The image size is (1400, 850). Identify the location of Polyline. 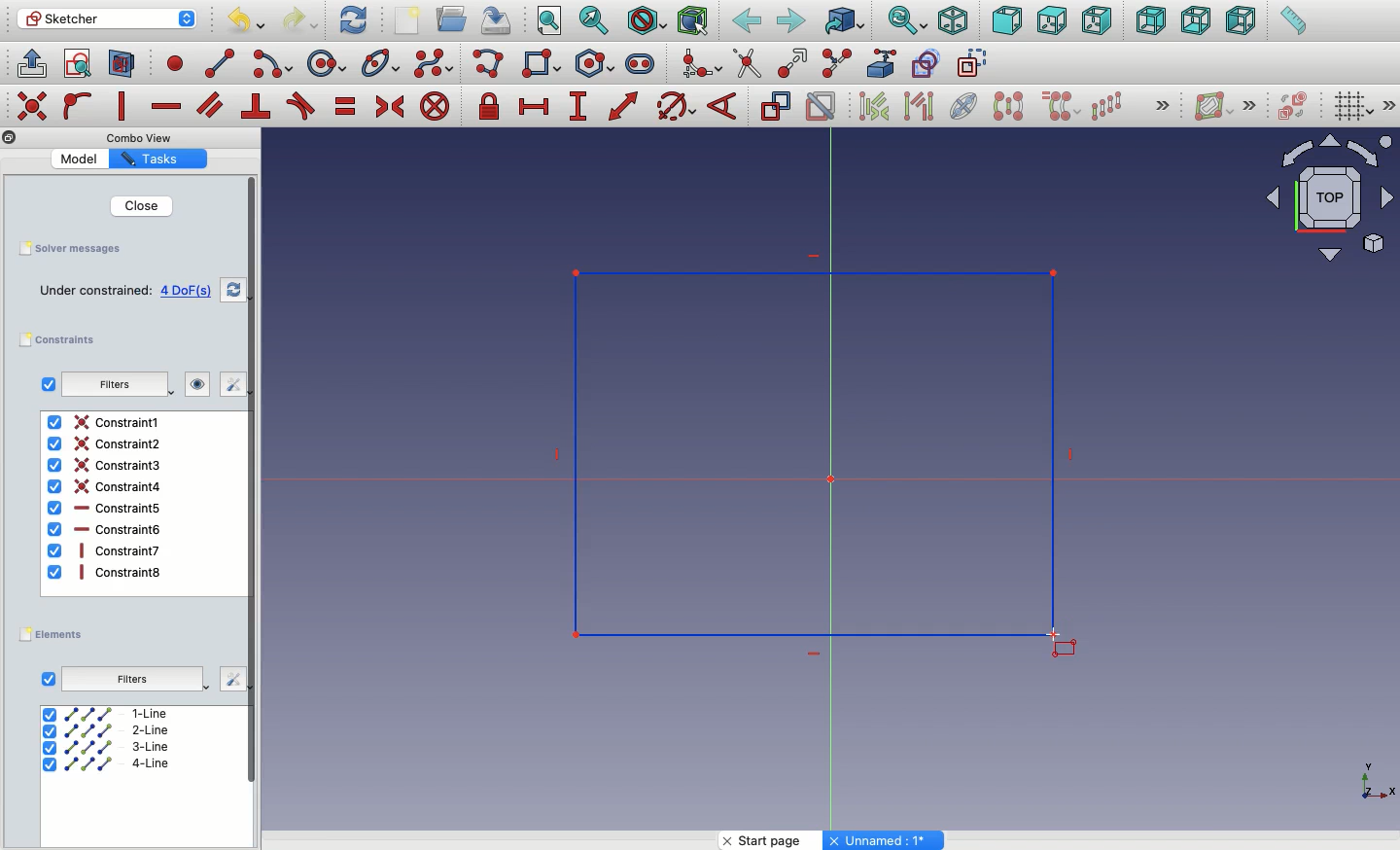
(492, 65).